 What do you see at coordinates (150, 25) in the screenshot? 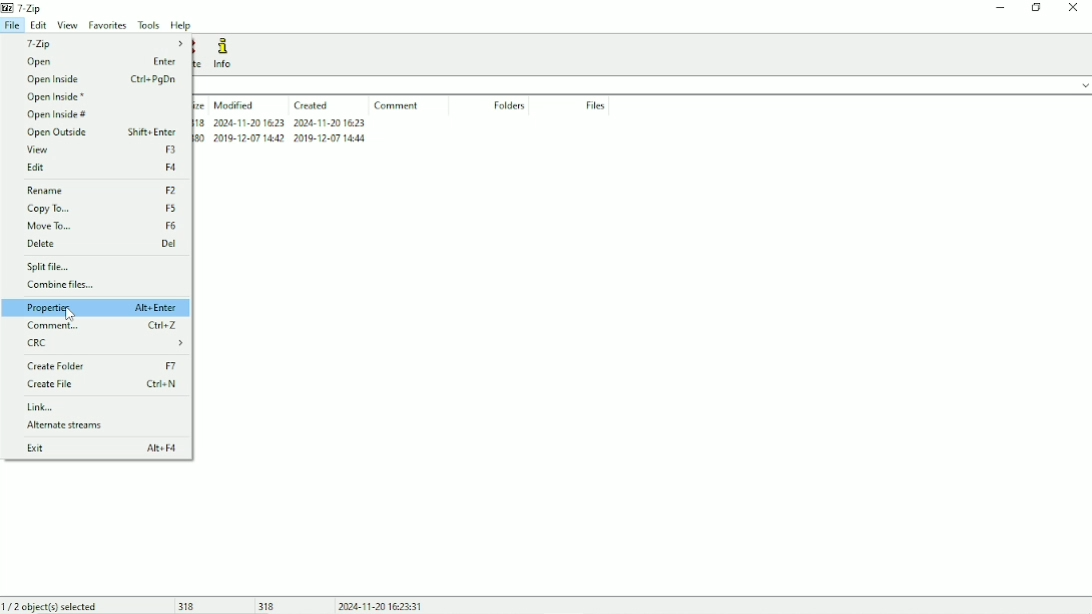
I see `Tools` at bounding box center [150, 25].